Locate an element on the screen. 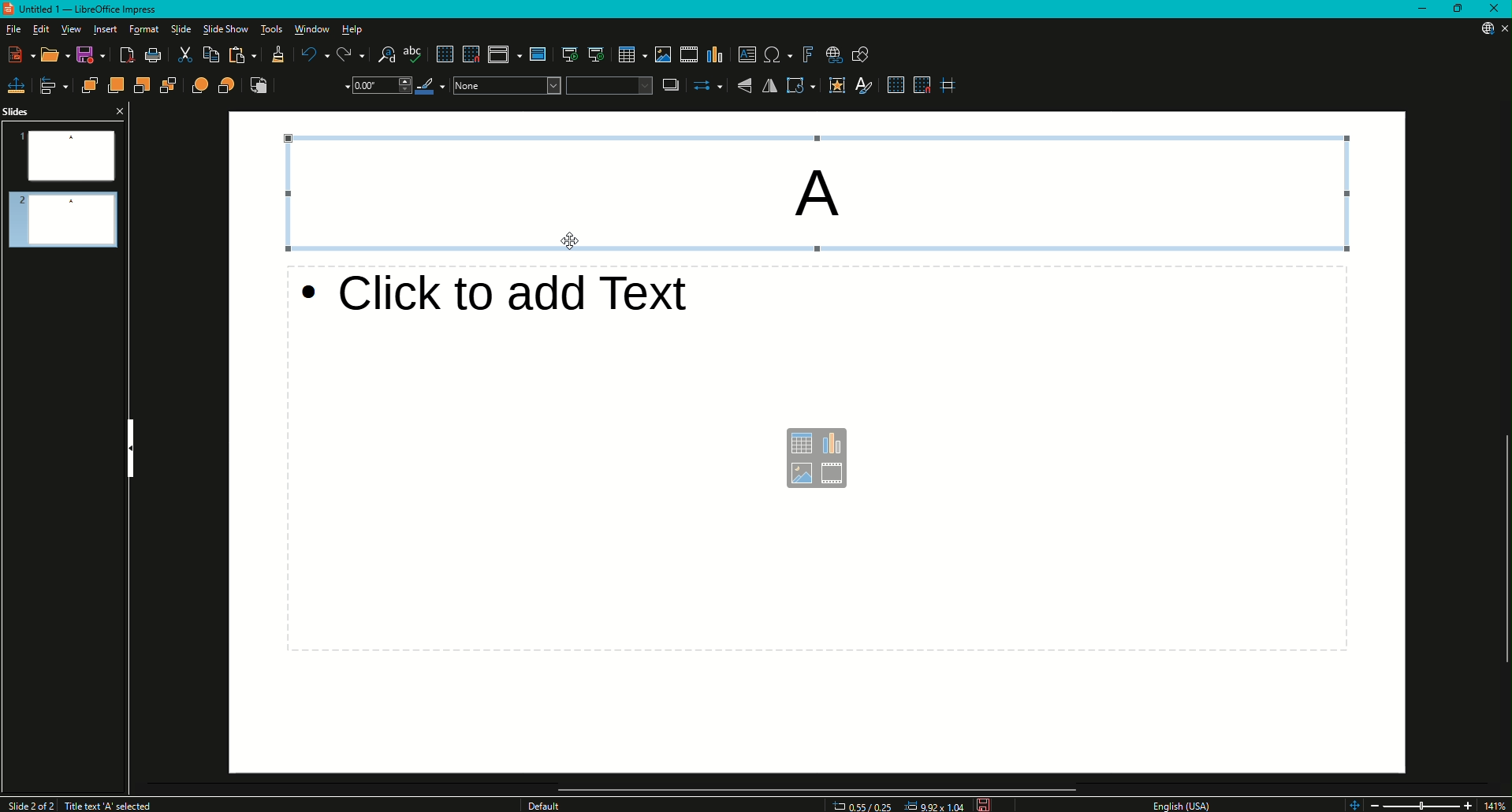 The height and width of the screenshot is (812, 1512). Slide 2 Preview is located at coordinates (65, 222).